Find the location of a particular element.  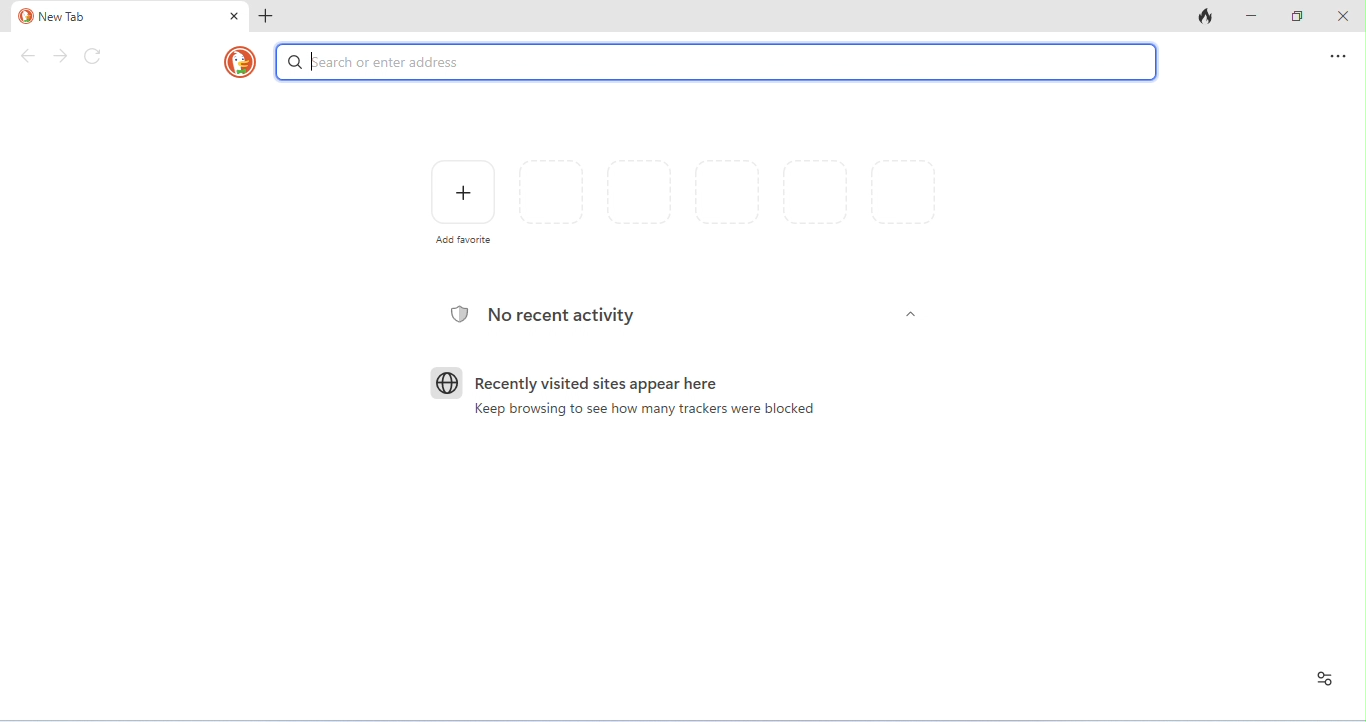

close is located at coordinates (1343, 15).